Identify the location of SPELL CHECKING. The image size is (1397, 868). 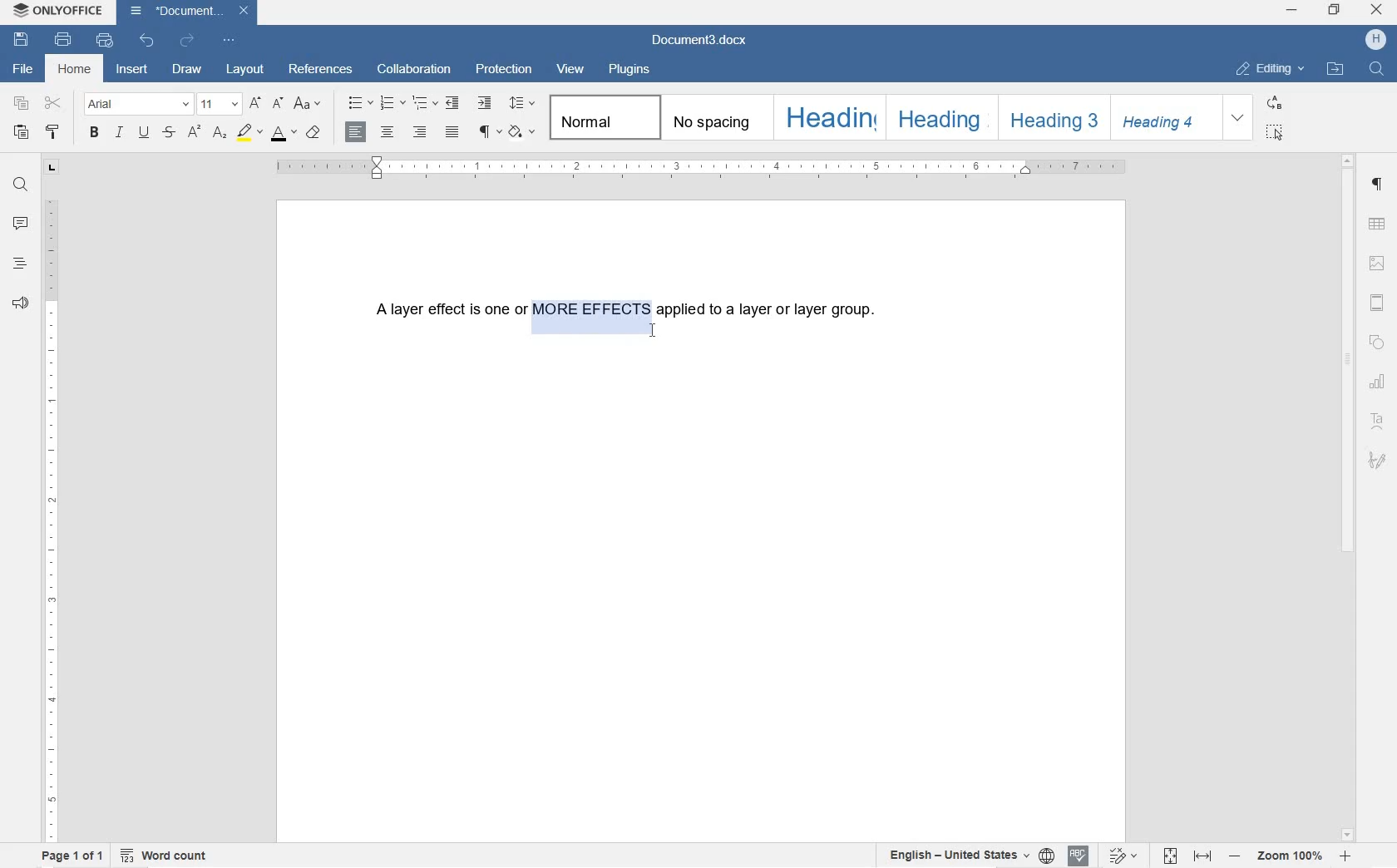
(1079, 855).